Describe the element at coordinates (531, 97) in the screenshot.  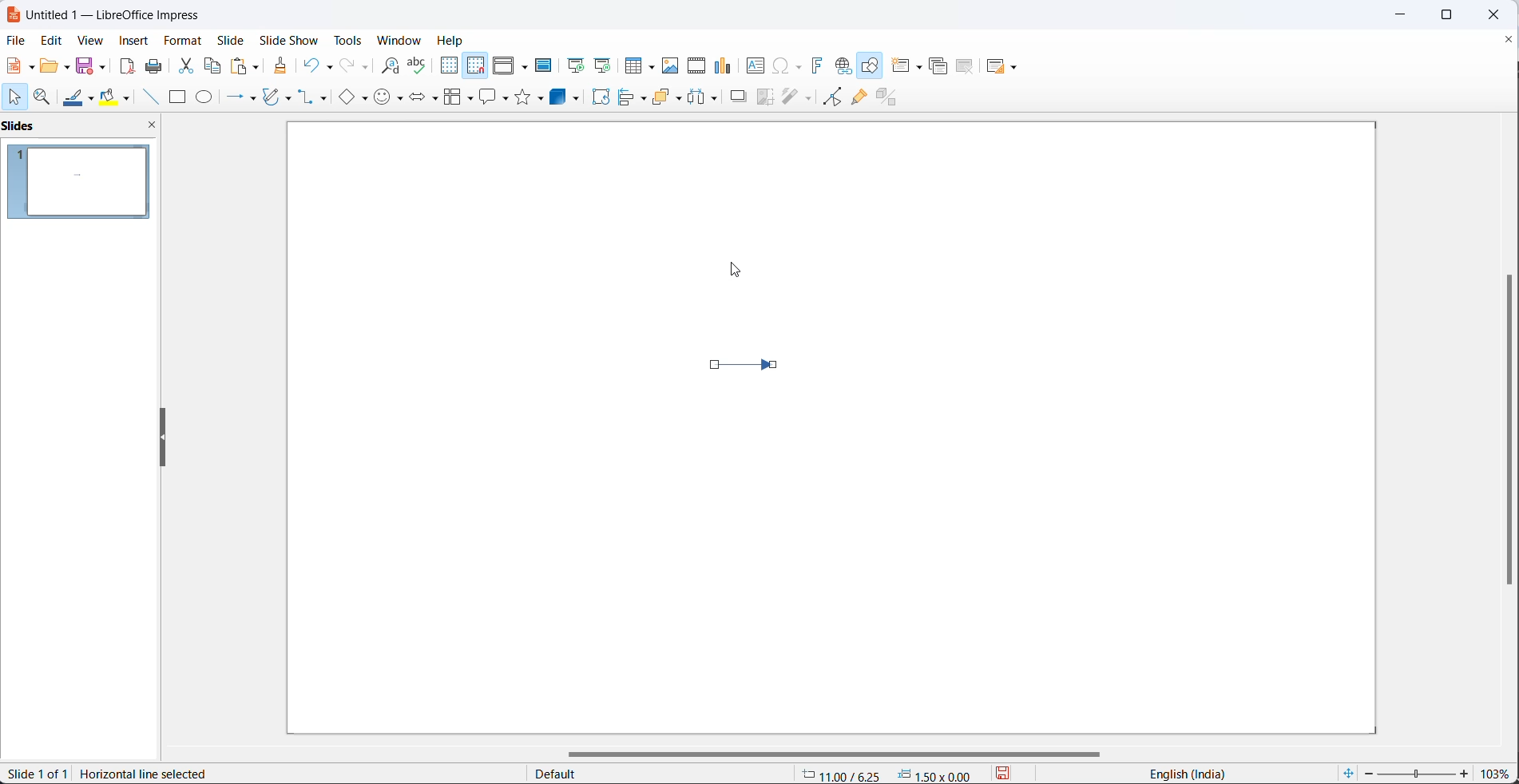
I see `star shapes` at that location.